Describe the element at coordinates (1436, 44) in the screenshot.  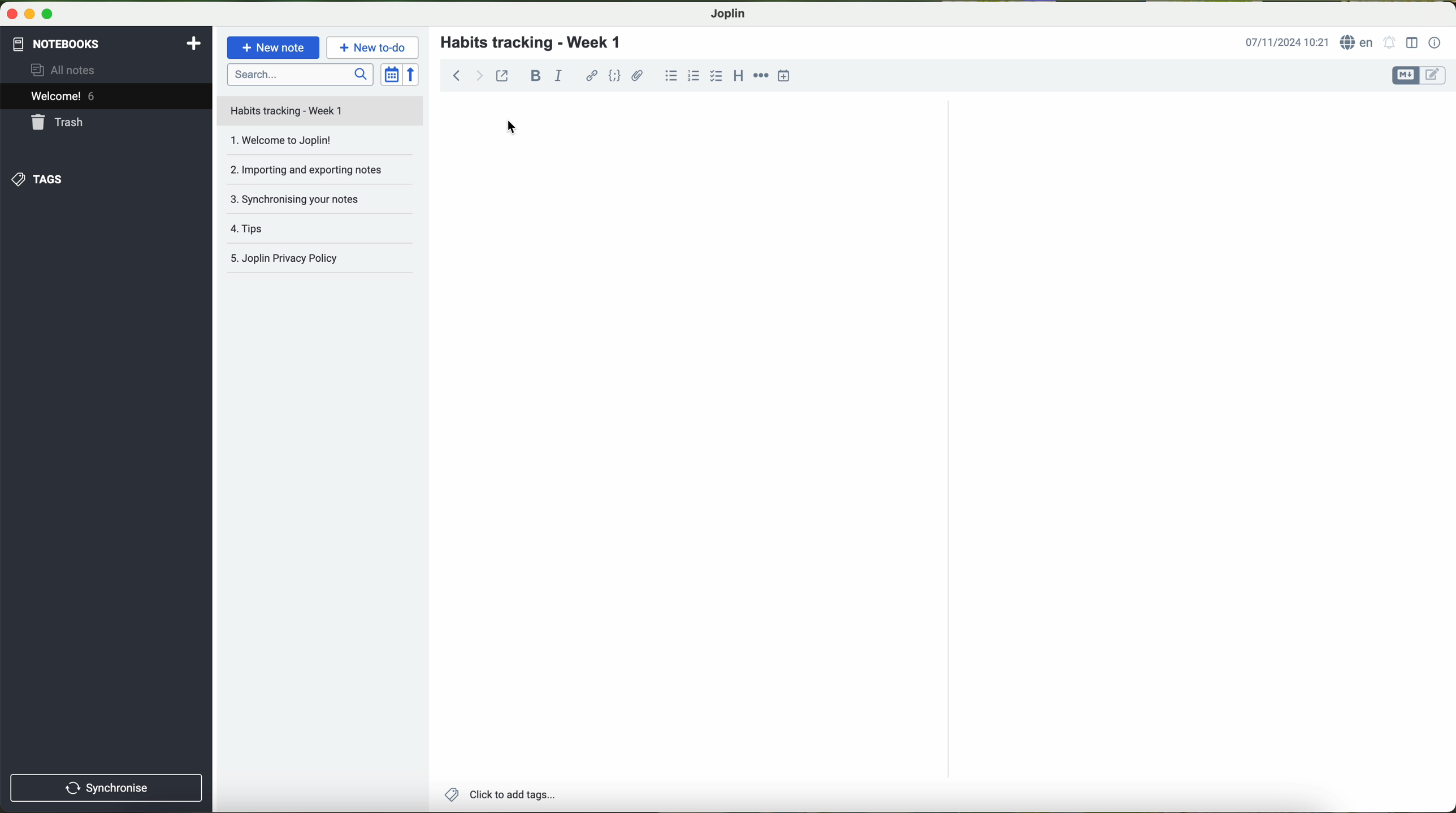
I see `note properties` at that location.